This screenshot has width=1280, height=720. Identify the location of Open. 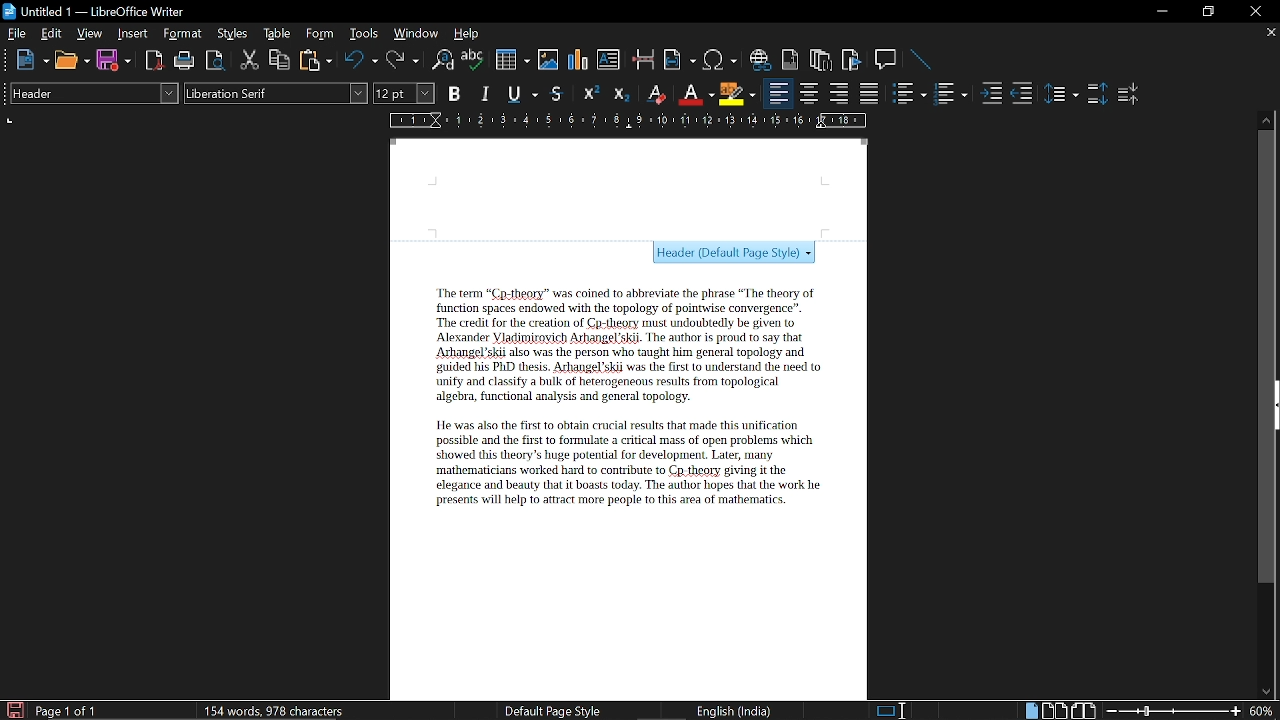
(72, 61).